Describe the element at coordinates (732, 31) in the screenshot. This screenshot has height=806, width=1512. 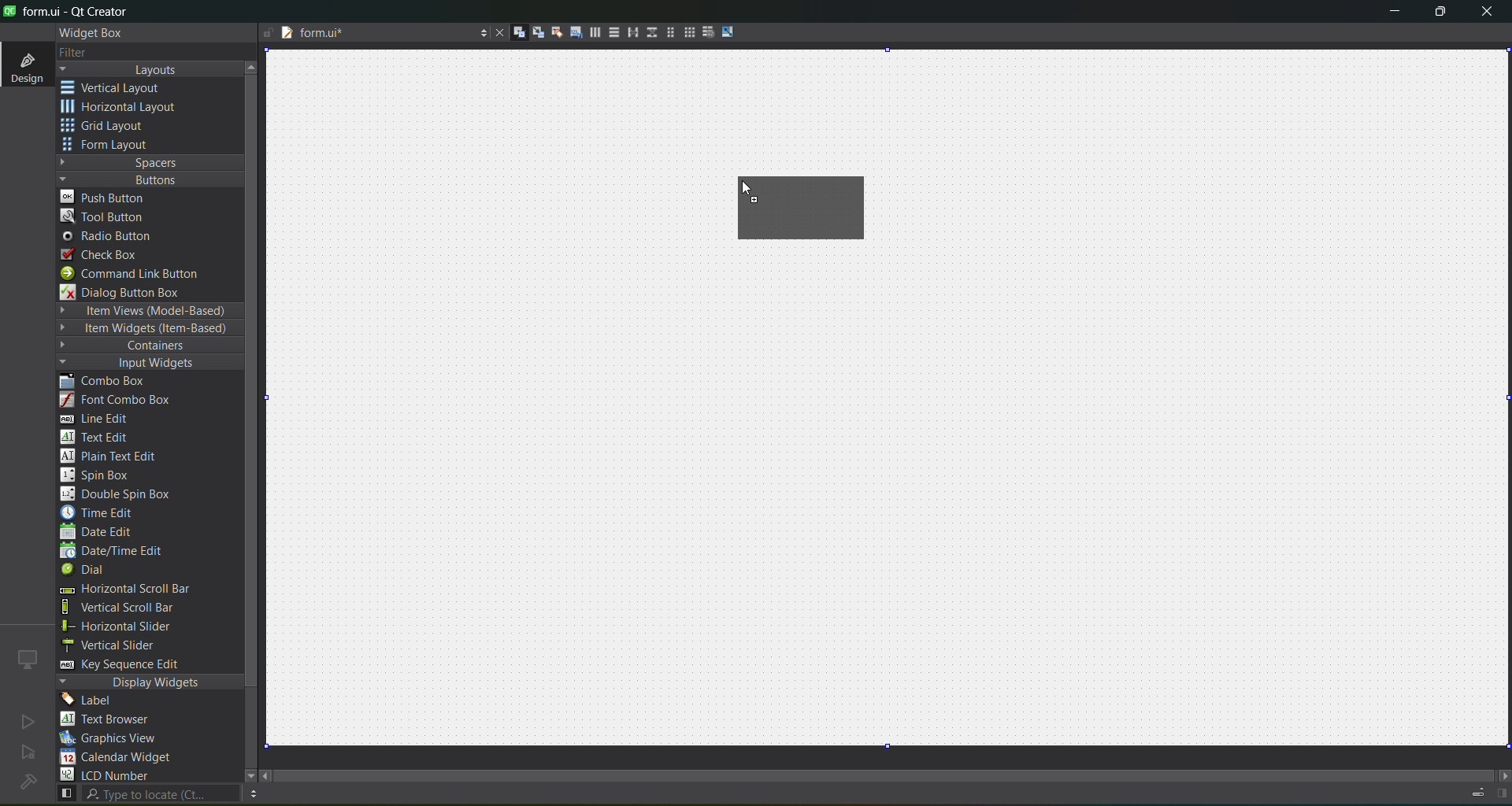
I see `adjust size` at that location.